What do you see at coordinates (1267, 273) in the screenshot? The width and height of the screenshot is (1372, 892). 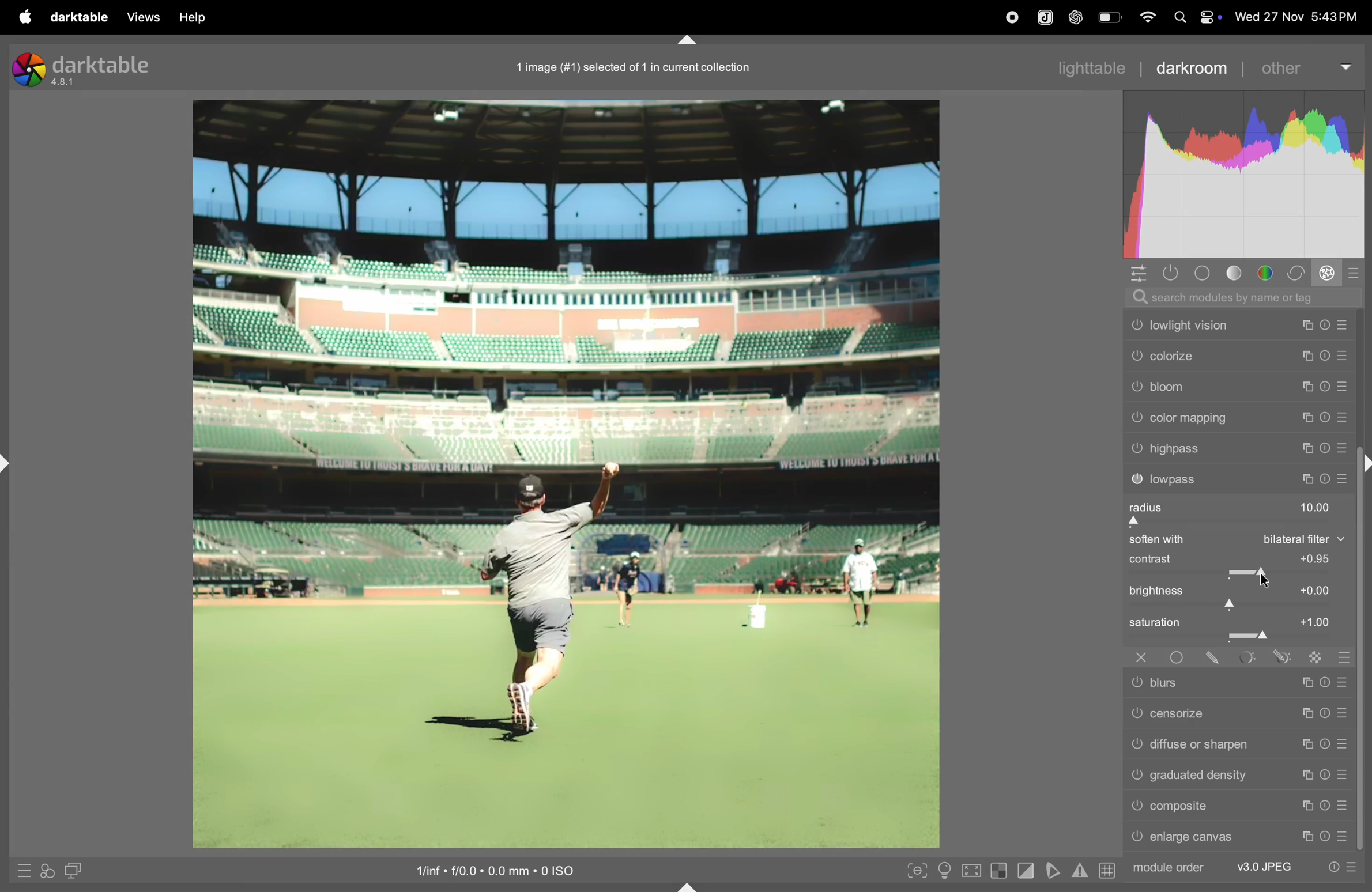 I see `colors` at bounding box center [1267, 273].